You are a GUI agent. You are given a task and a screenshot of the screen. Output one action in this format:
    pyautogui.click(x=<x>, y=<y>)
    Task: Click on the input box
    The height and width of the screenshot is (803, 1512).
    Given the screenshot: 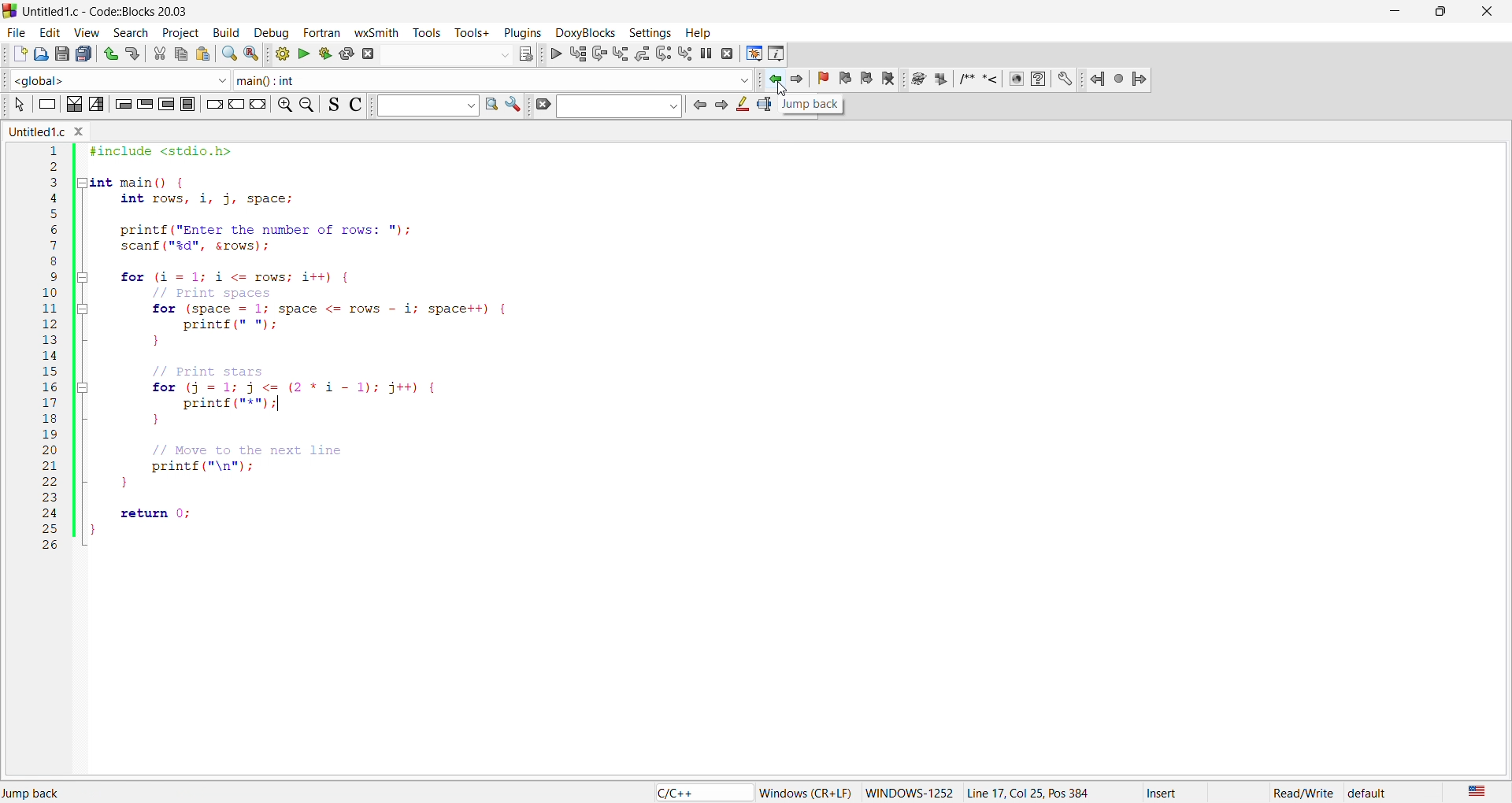 What is the action you would take?
    pyautogui.click(x=423, y=105)
    